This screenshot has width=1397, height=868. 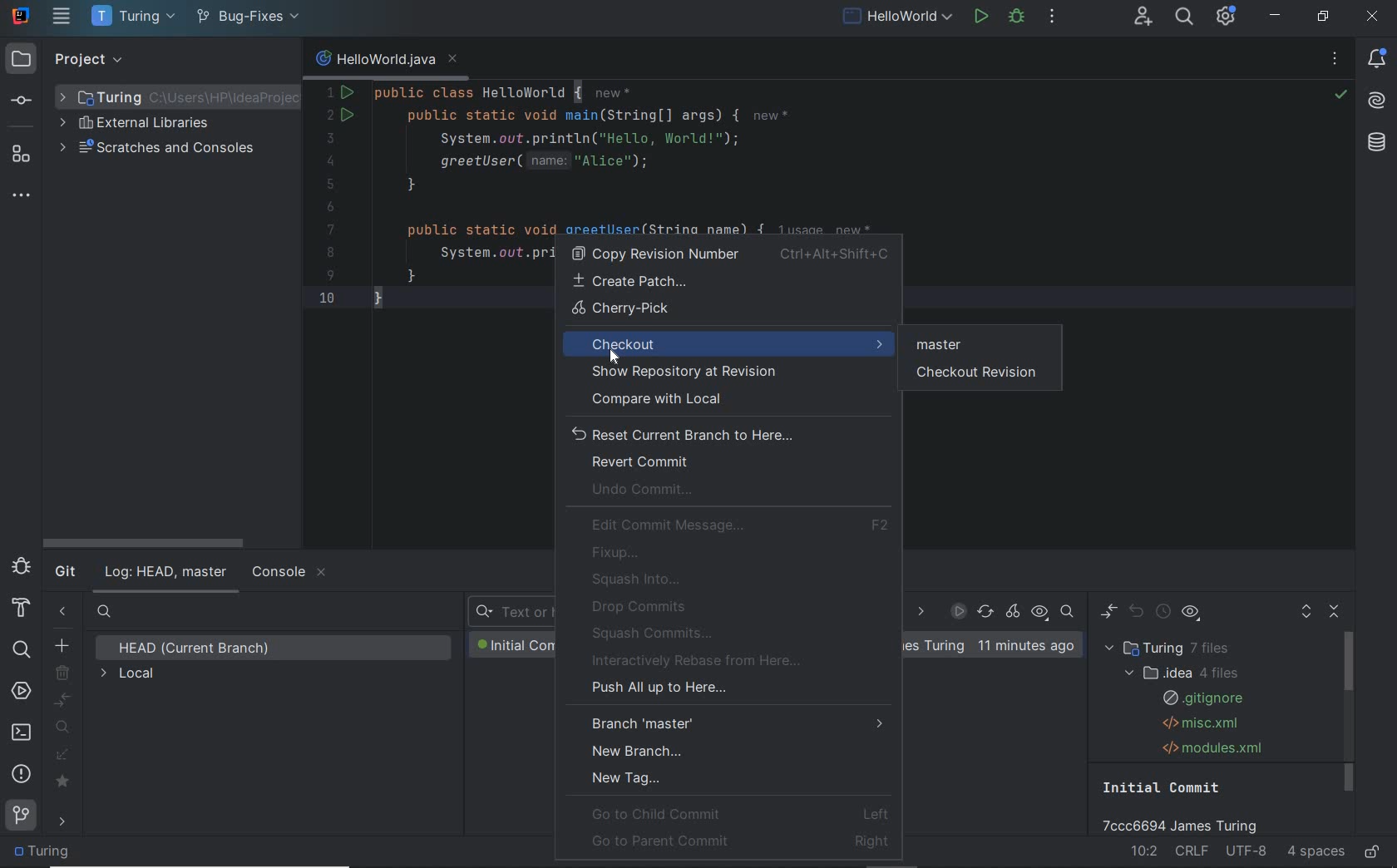 I want to click on structure, so click(x=22, y=155).